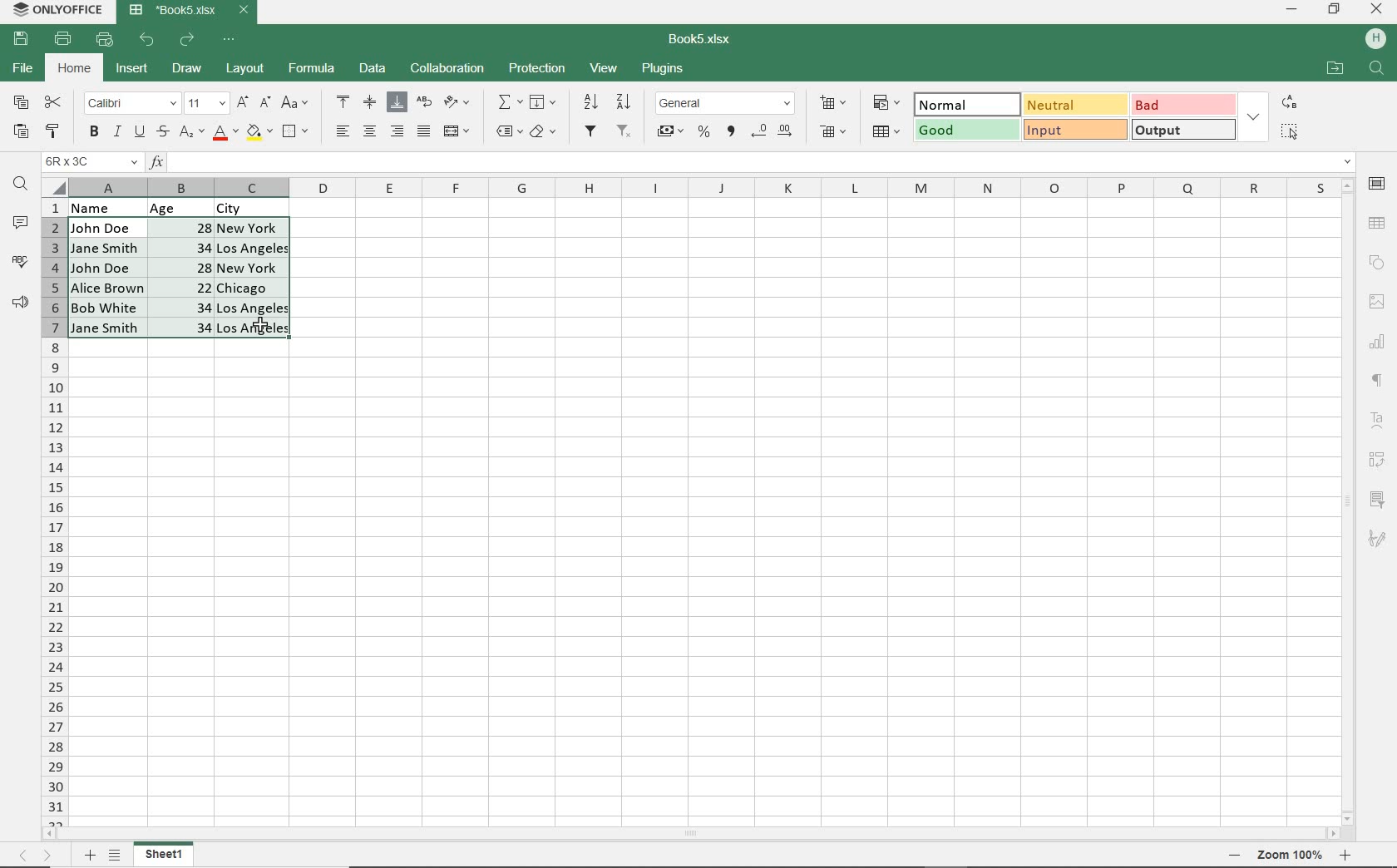  What do you see at coordinates (887, 131) in the screenshot?
I see `FORMAT AS TABLE TEMPLATE` at bounding box center [887, 131].